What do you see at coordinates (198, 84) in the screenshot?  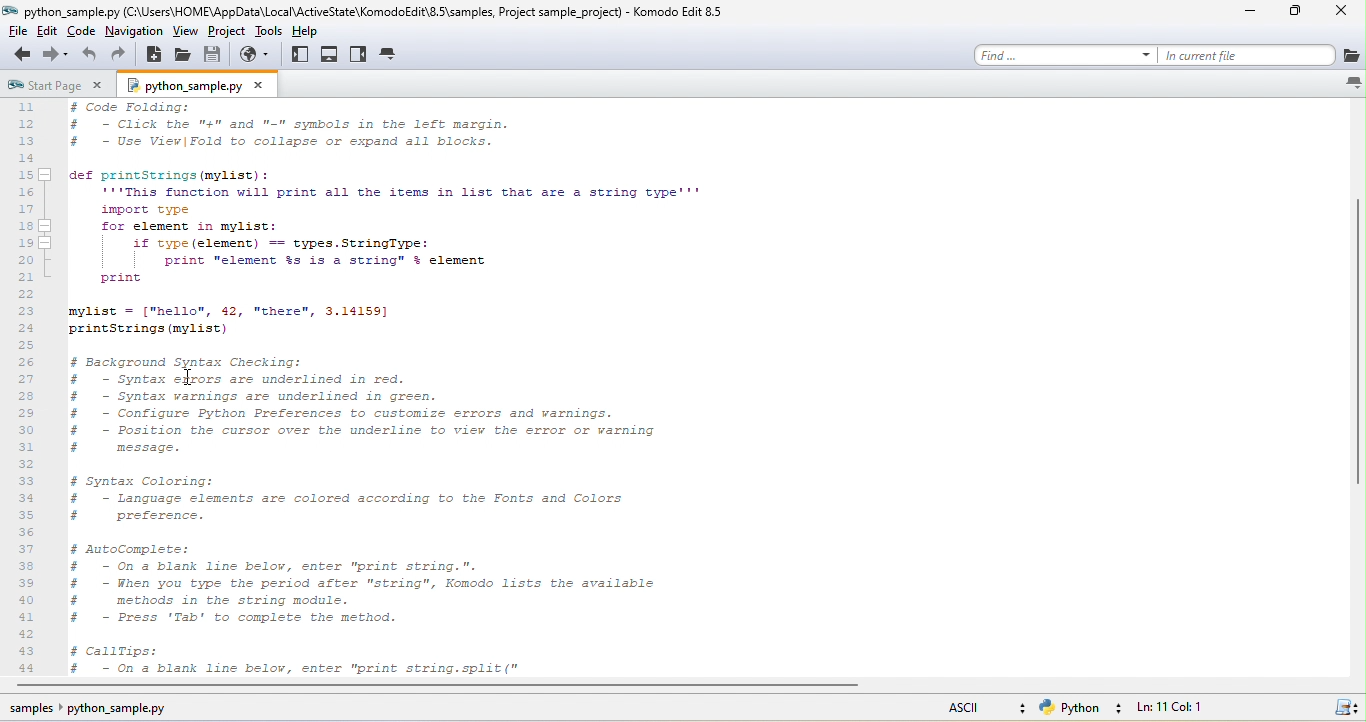 I see `python sample` at bounding box center [198, 84].